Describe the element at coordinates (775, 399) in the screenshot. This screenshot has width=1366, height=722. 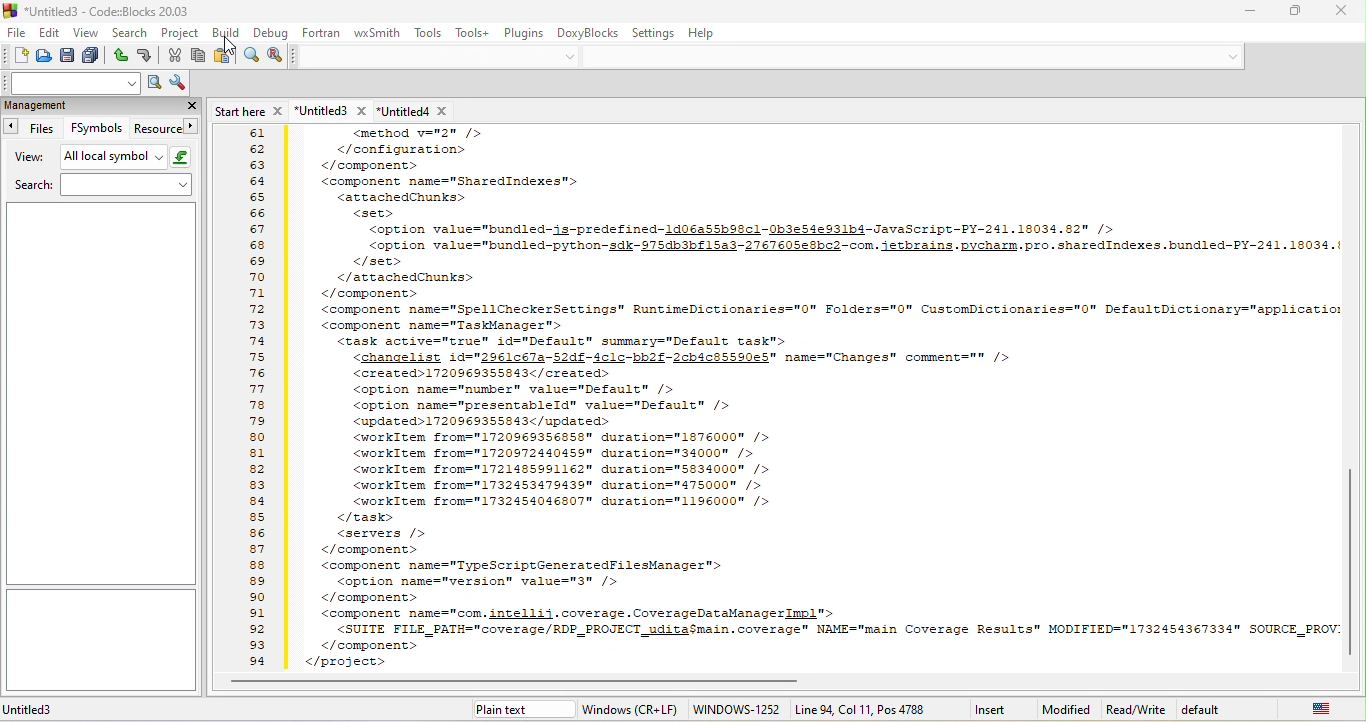
I see `a1 TEEthoR v3 Jr
a </configuration>
es </component>
ae <component name="SharedIndexes>
es <attachedChunks>
ce <set>
er <option value="bundled-is-predefined-1d06a55b9scl-Ob3e5ees3lbe-JavaScript-FY-241.18034.82" />
El <option value="bundled-python-sdk-S75db3brl5a3-2767605e8bc2-com. iethrains .pycharm. pro. sharedIndexes. bundled-PY-241. 18034.
es </set>
70 </attachedChunis>
7 </component>
72 <component name="SpellCheckerSectings” RuntimeDictionaries="0" Folders="0" CustomDictionaries="0" DefaultDictionary="applicatic
73 <component name="TaskManager™>
74 <task active=rtrue" id="Default” summary="Default task"
7s <changelist id="2961cE7a-52df-fclc-bb2f-2cb4cES590e5" name="Changes” Comment="" />
76 <created>1720969355843</ creates
77 <option name="number” value="Default” />
78 <option name="presentableld” value="Default™ />
78 <updated>1720969355843</updated>
20 <workItem from=v1720969356858" duration="18760007 />
81 <workItem from="1720972440458" duration="340007 />
82 <workItem from=v1721485991162" duration="58340007 />
3 <workItem from=v1732453479439" duration="4750007 />
=e <workItem from="1732454046807" duration="11960007 />
85 </vasi>)
=e <servers />
87 </component>
es <component name="TypeScriptGeneratedFilesianager™>
es <option name=vversion” value="3" />
50 </component>
51 <component name="com.intellis.coverage.CoverageDataManagerImnl™>
52 <SUITE FILz_PATH="coverage/RDE_PROJECT uditaSmain.coverage” NAME="main Coverage Results” MODIFIED="1732454367334" SOURCE_BROV
3 </component>
94 </project>` at that location.